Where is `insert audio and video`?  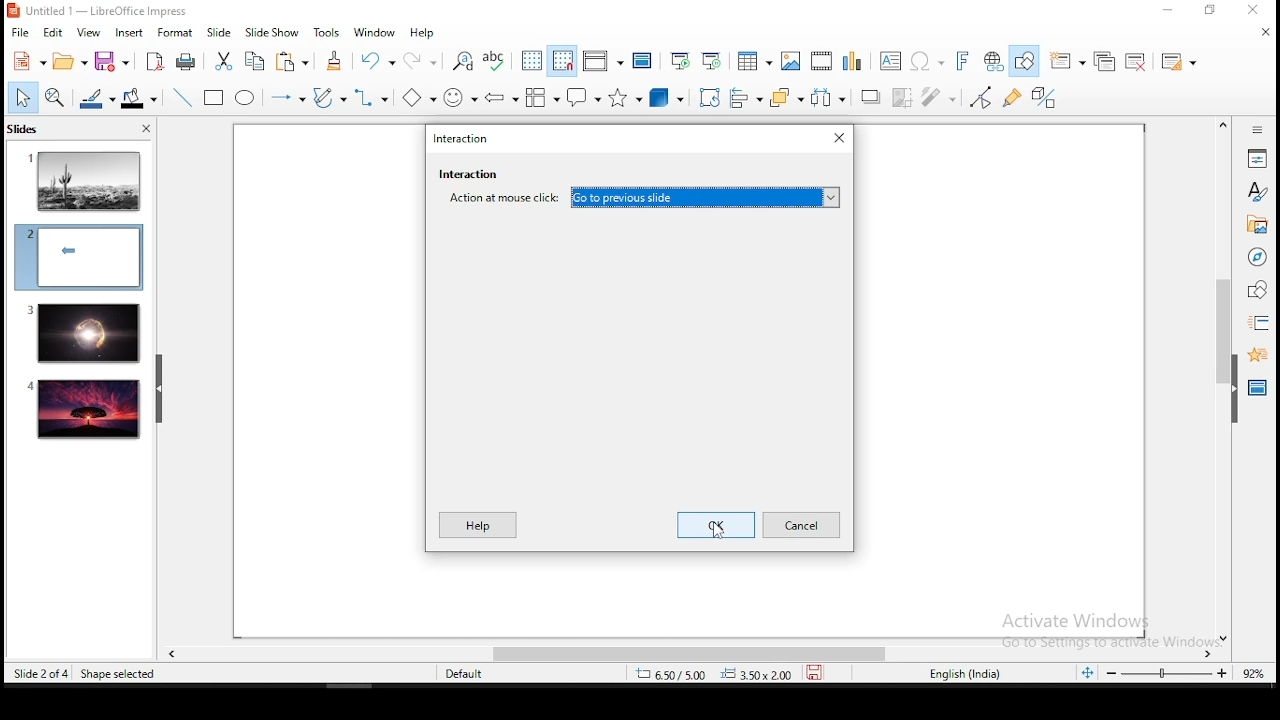 insert audio and video is located at coordinates (821, 62).